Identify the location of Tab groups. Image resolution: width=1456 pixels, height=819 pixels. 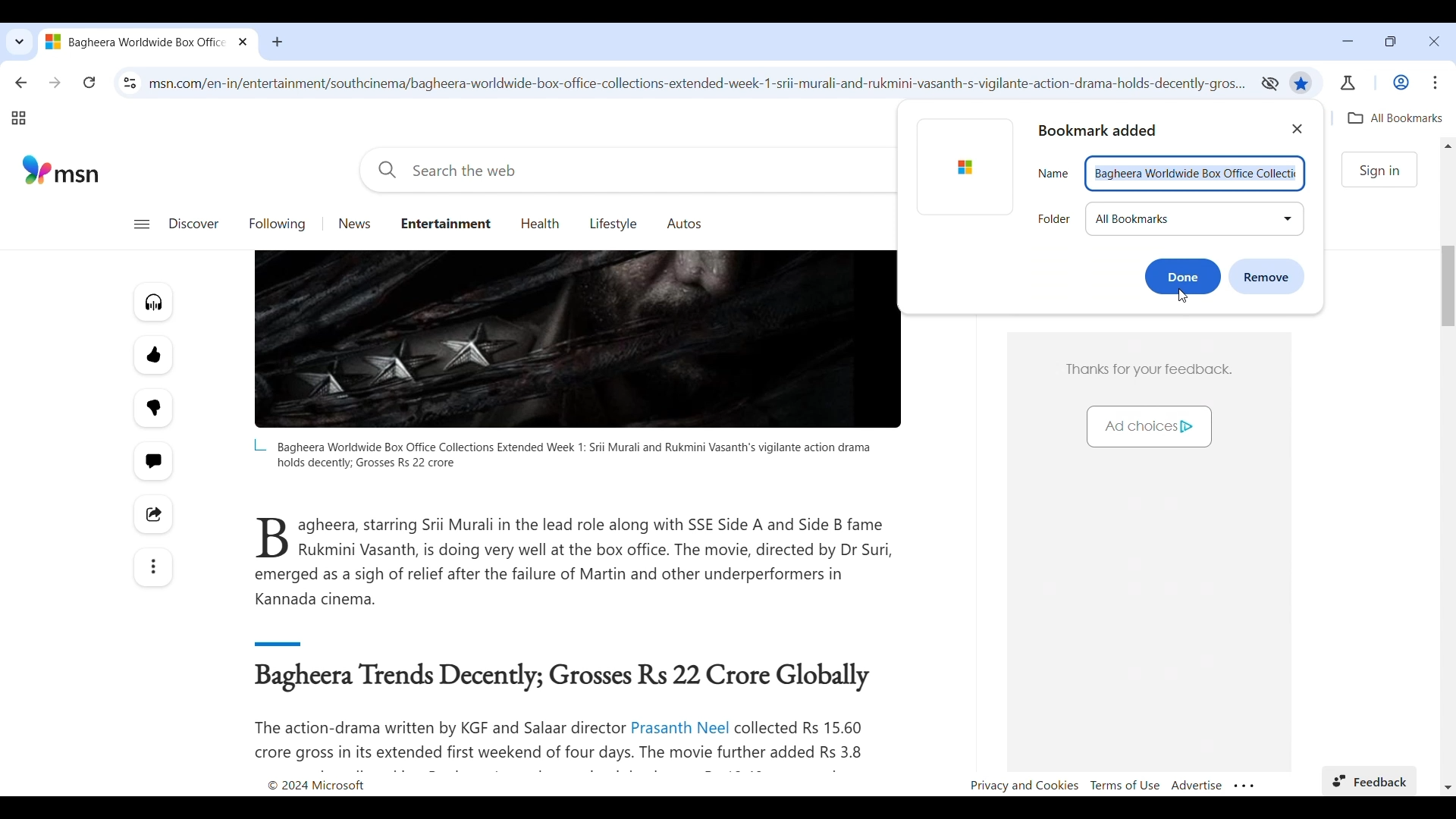
(18, 118).